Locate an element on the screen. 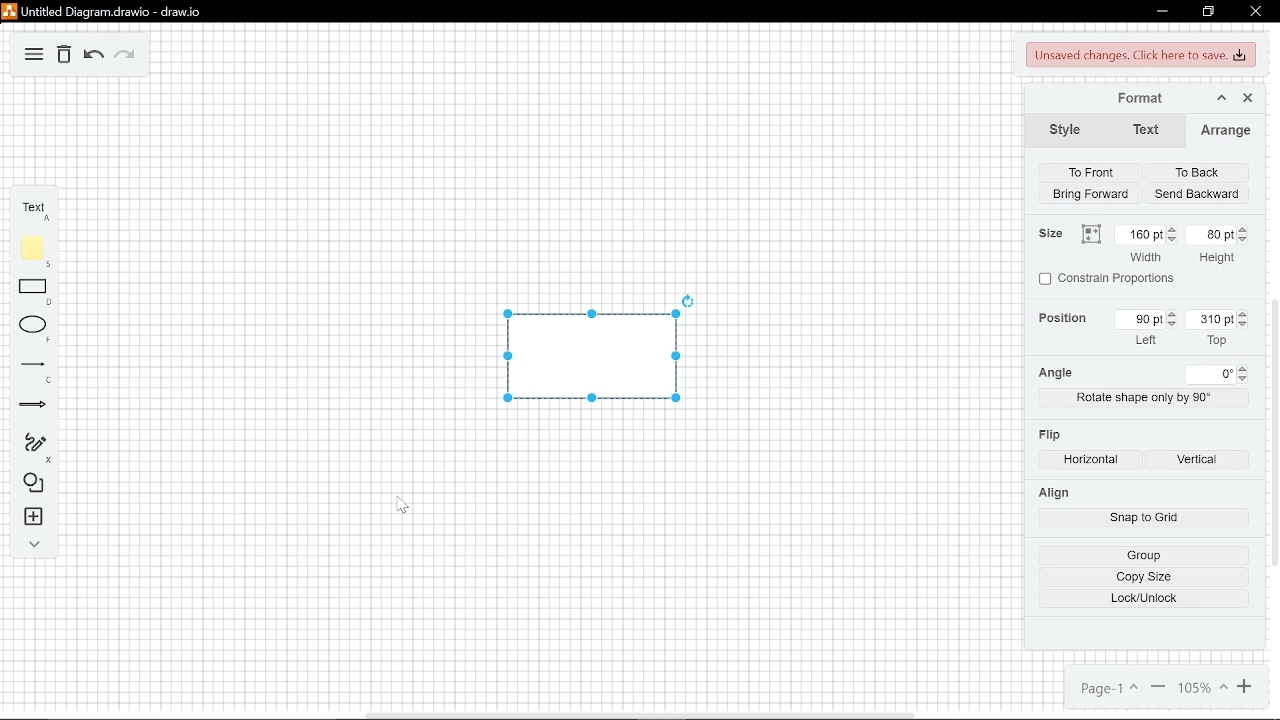 This screenshot has width=1280, height=720. align is located at coordinates (1053, 492).